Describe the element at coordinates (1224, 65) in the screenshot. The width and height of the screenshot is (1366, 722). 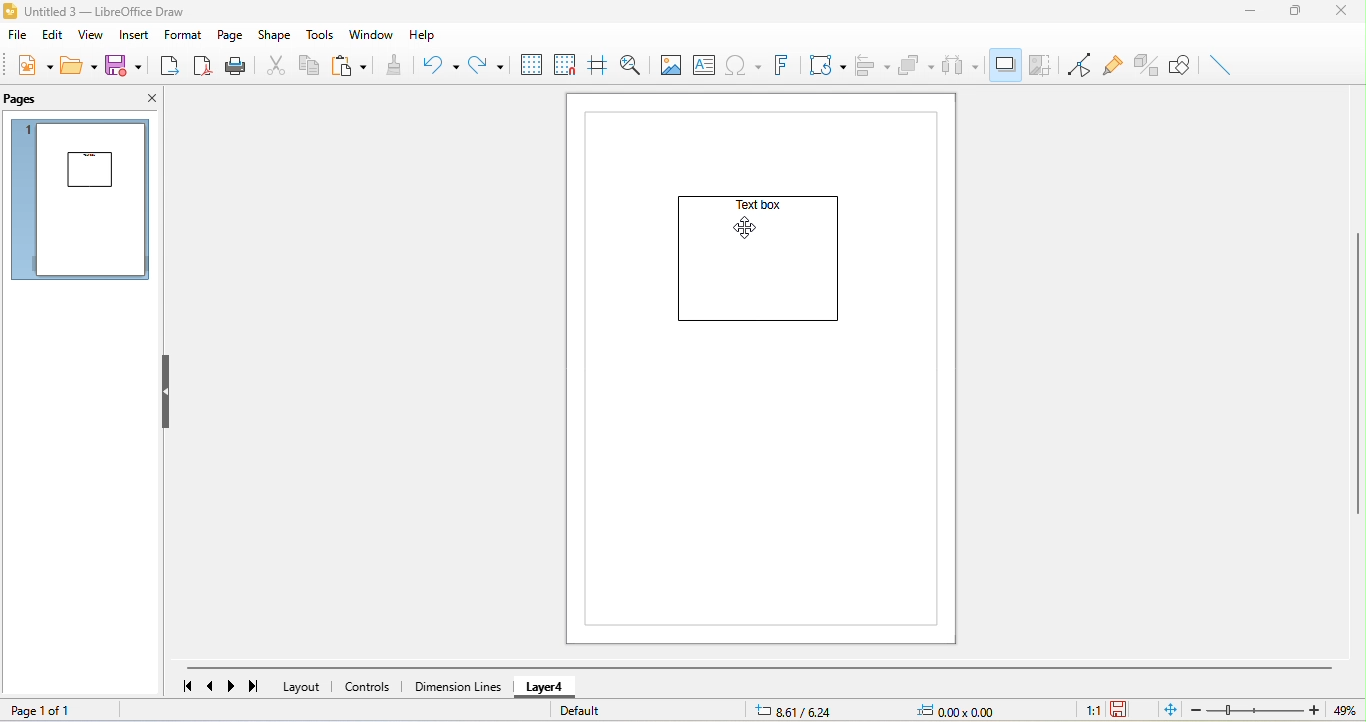
I see `insert line` at that location.